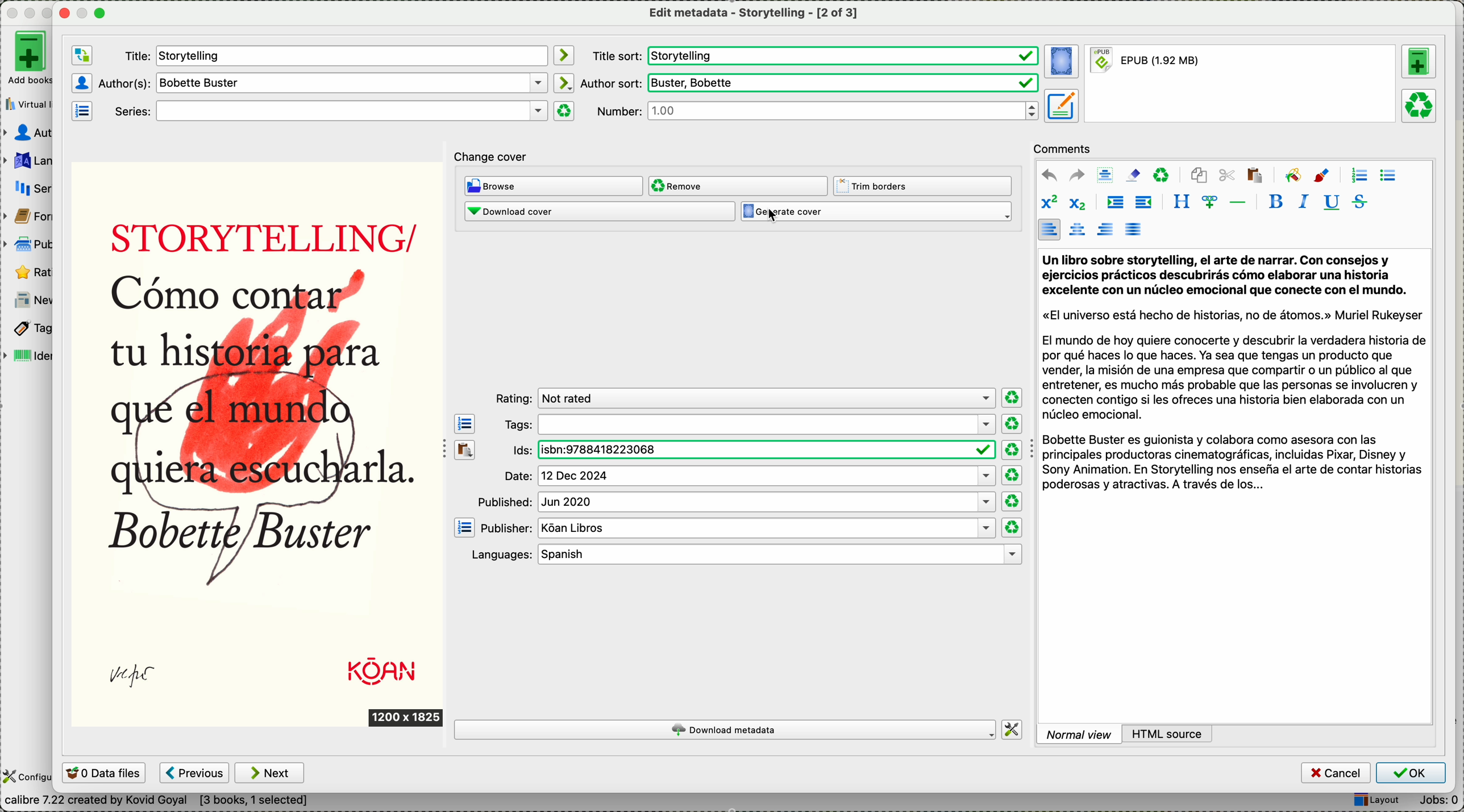  Describe the element at coordinates (1301, 203) in the screenshot. I see `italic` at that location.